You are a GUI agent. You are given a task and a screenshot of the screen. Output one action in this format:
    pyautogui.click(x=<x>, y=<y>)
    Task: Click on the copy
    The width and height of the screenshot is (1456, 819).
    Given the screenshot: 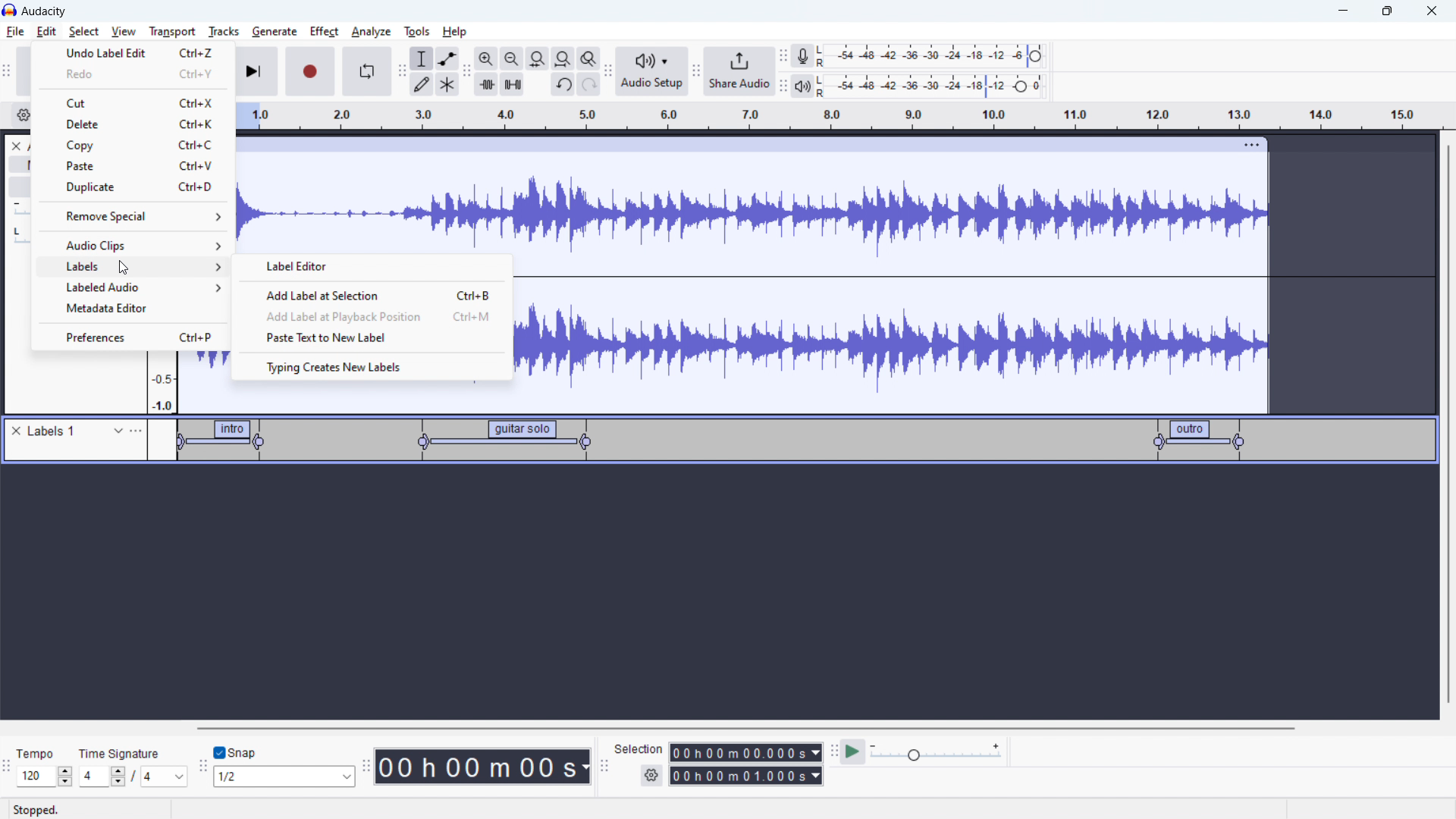 What is the action you would take?
    pyautogui.click(x=133, y=146)
    